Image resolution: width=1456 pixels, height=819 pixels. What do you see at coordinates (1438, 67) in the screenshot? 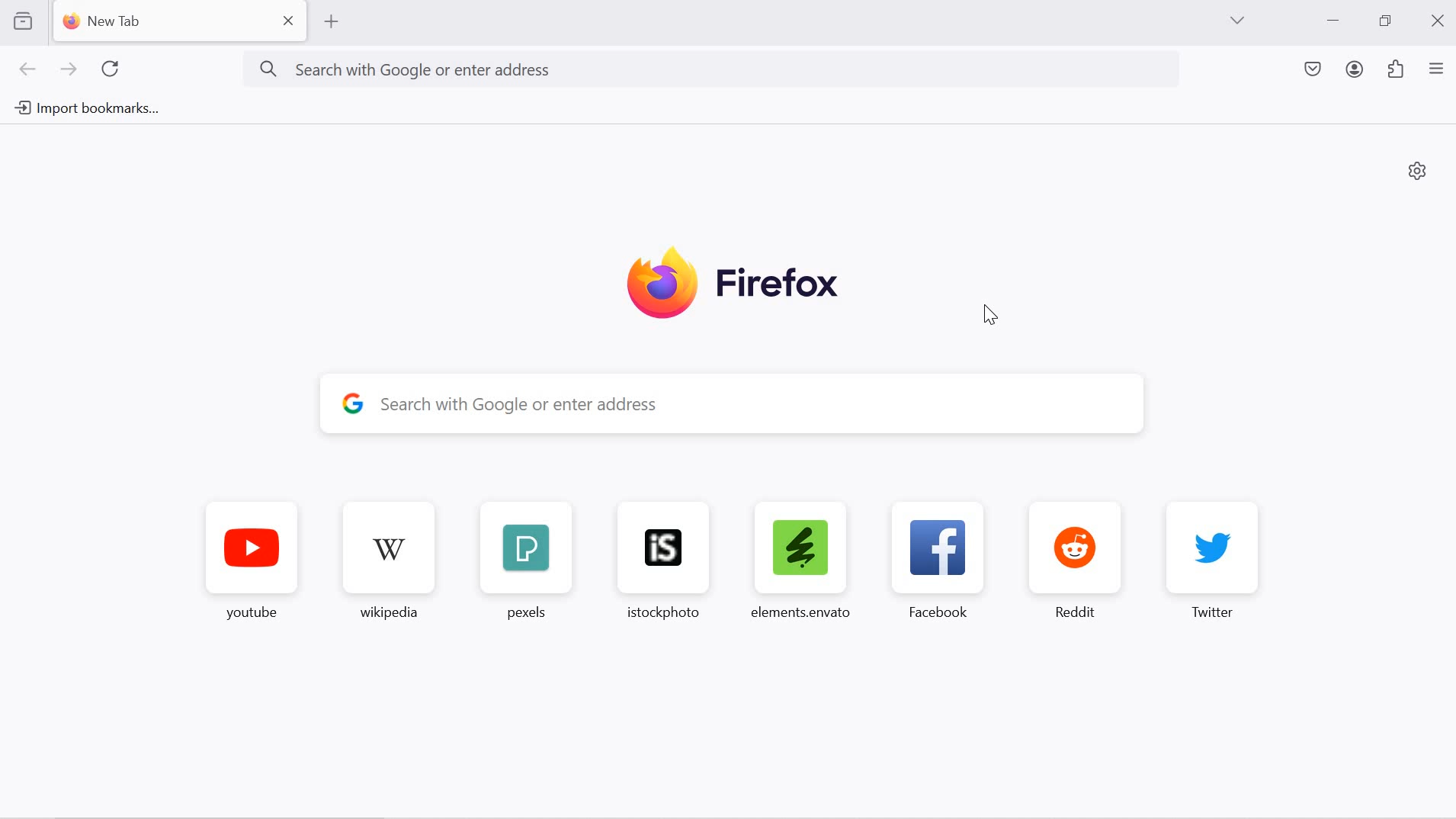
I see `open application menu` at bounding box center [1438, 67].